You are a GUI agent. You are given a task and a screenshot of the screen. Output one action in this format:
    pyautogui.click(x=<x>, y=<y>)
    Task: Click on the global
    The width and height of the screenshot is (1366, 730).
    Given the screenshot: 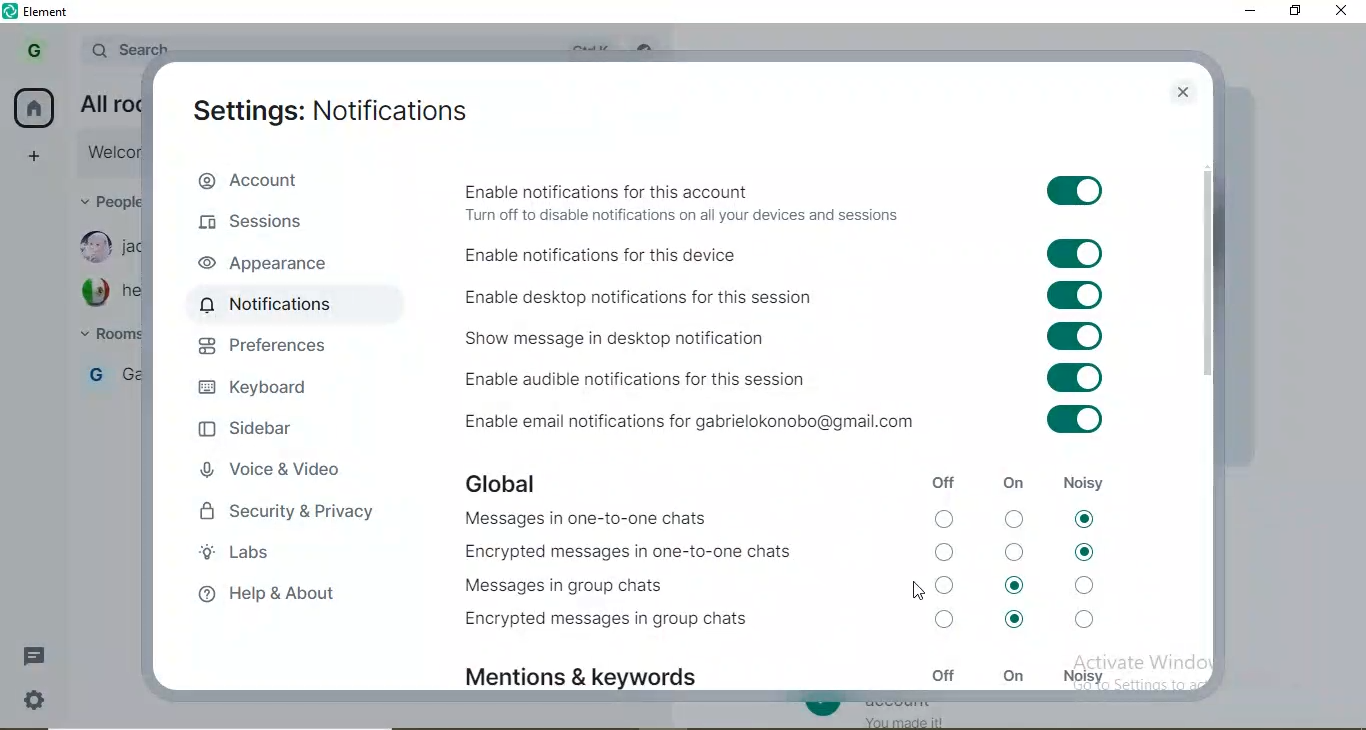 What is the action you would take?
    pyautogui.click(x=505, y=480)
    